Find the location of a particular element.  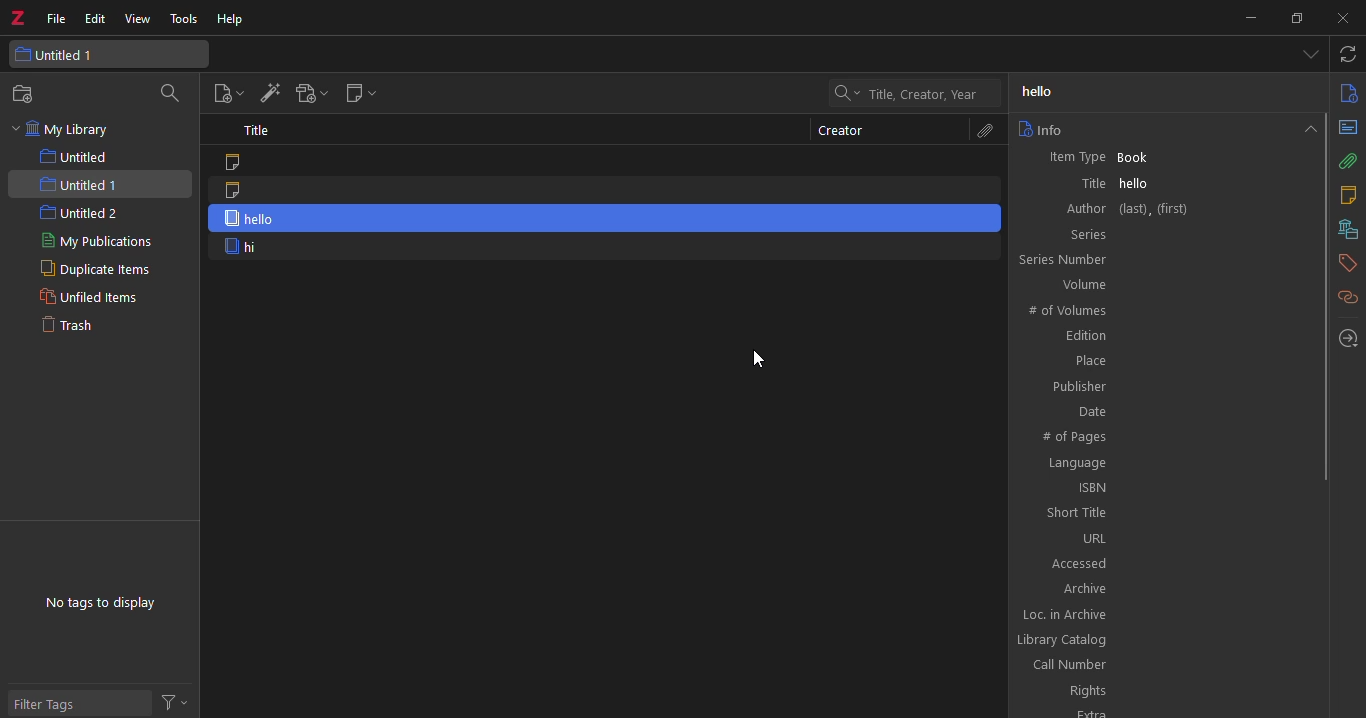

no tags is located at coordinates (99, 603).